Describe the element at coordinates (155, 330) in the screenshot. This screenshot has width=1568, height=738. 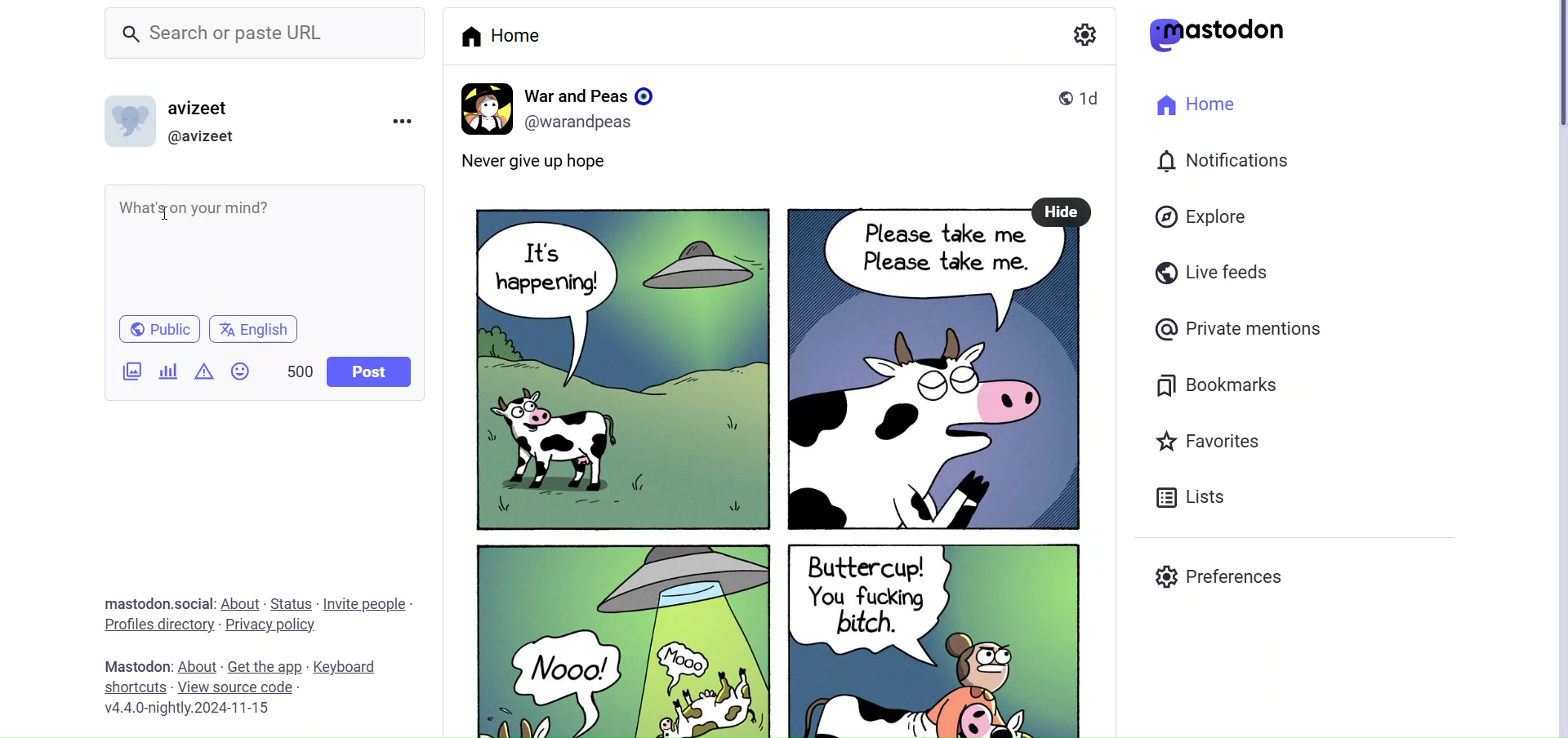
I see `Public` at that location.